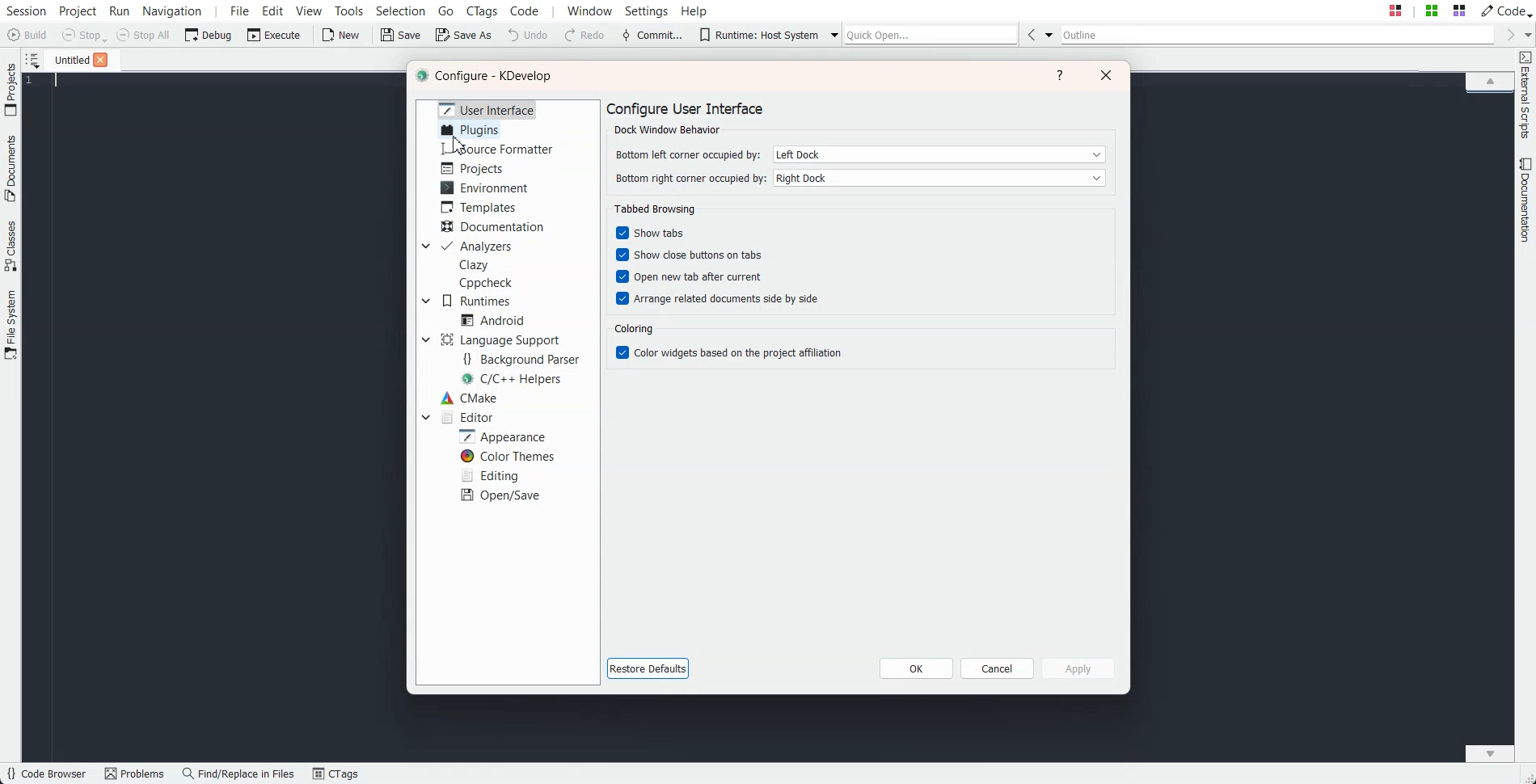  Describe the element at coordinates (940, 154) in the screenshot. I see `Left Dock` at that location.